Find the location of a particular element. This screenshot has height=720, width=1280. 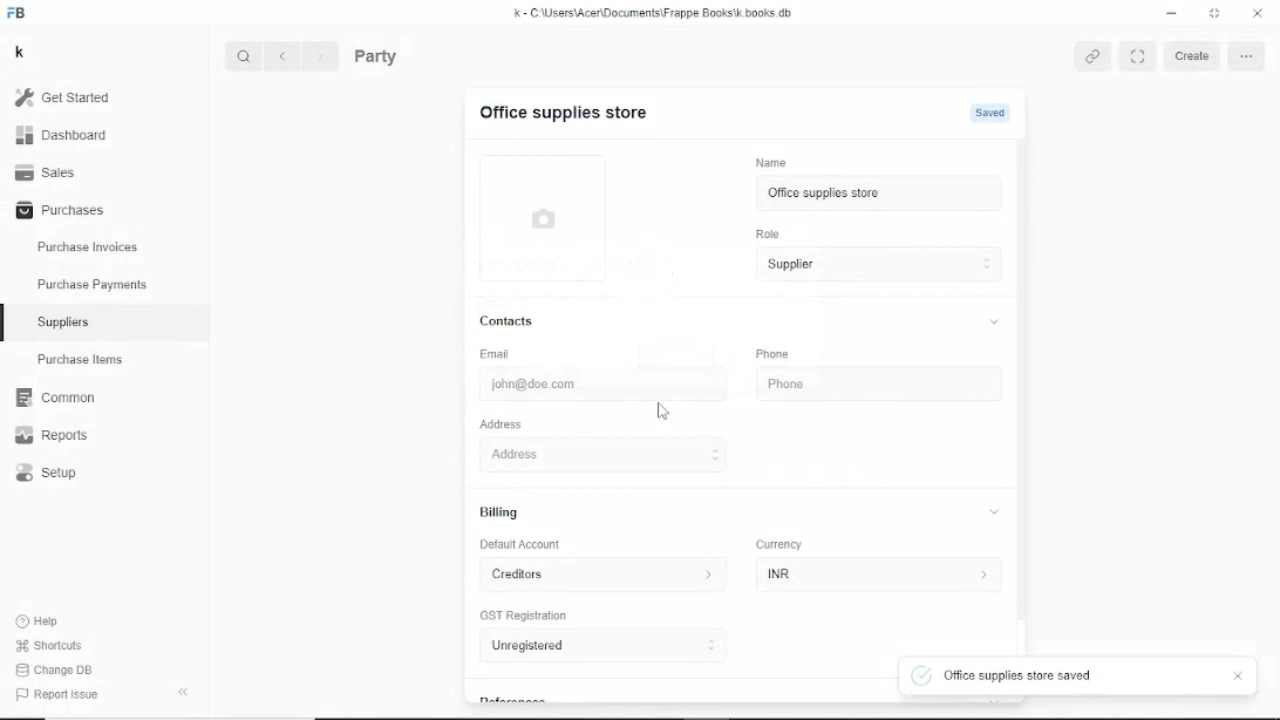

More is located at coordinates (1248, 56).